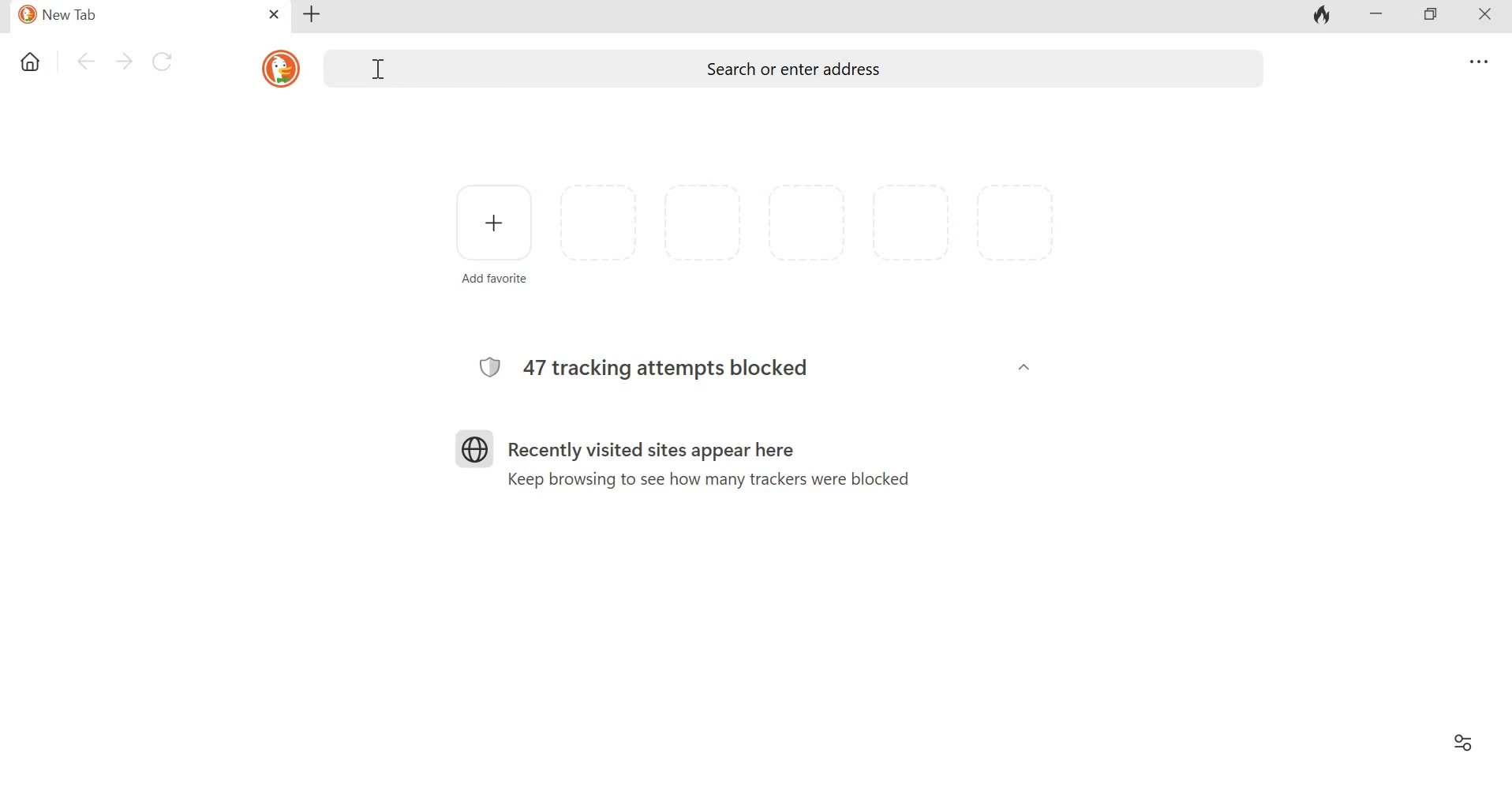  I want to click on 47 tracking attempts blocked, so click(663, 363).